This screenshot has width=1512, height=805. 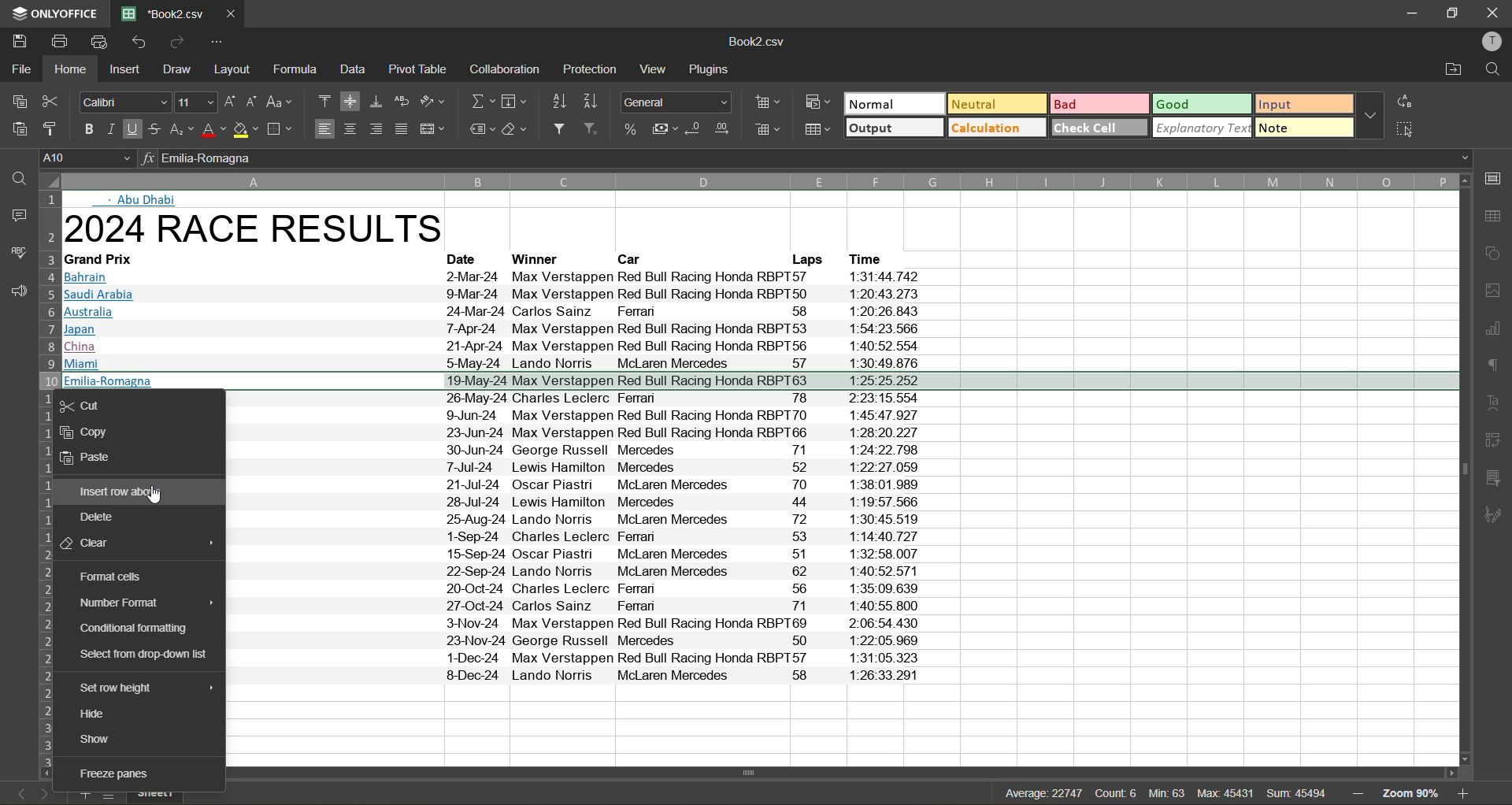 I want to click on check cell, so click(x=1099, y=127).